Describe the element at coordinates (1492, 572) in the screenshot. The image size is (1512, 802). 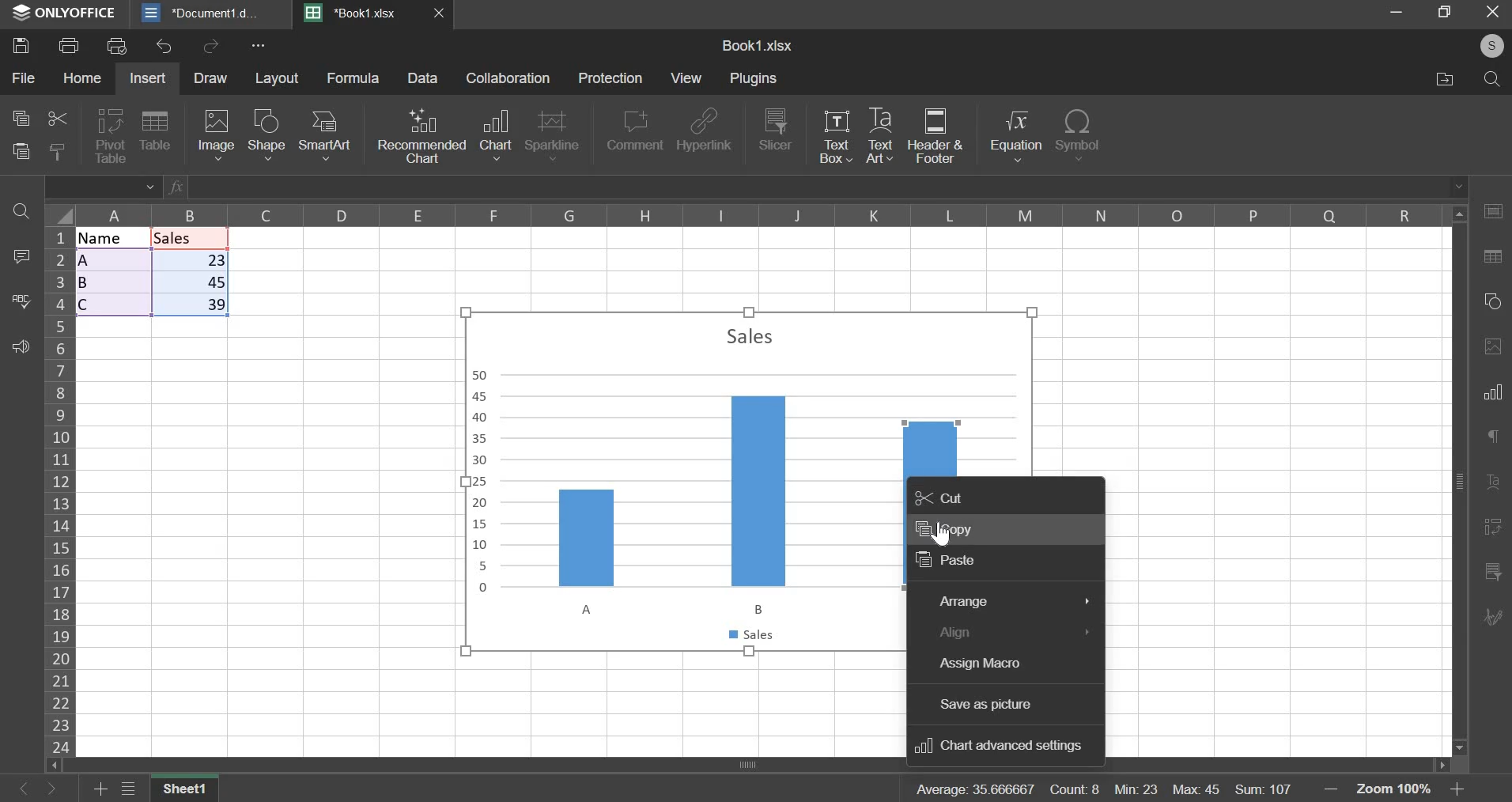
I see `Chart filter` at that location.